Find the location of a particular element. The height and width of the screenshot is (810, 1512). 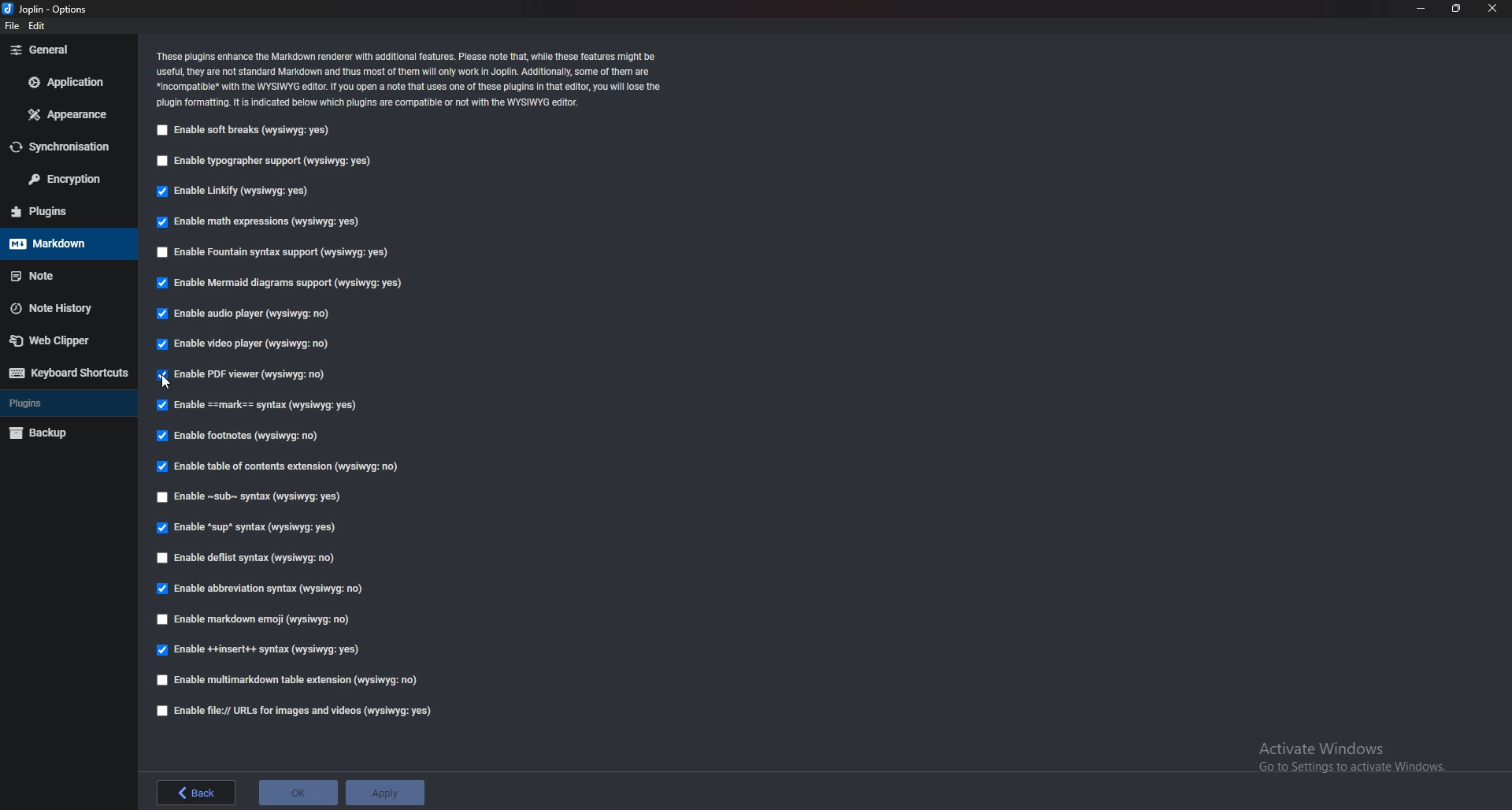

cursor on Enable P D F viewer is located at coordinates (251, 375).